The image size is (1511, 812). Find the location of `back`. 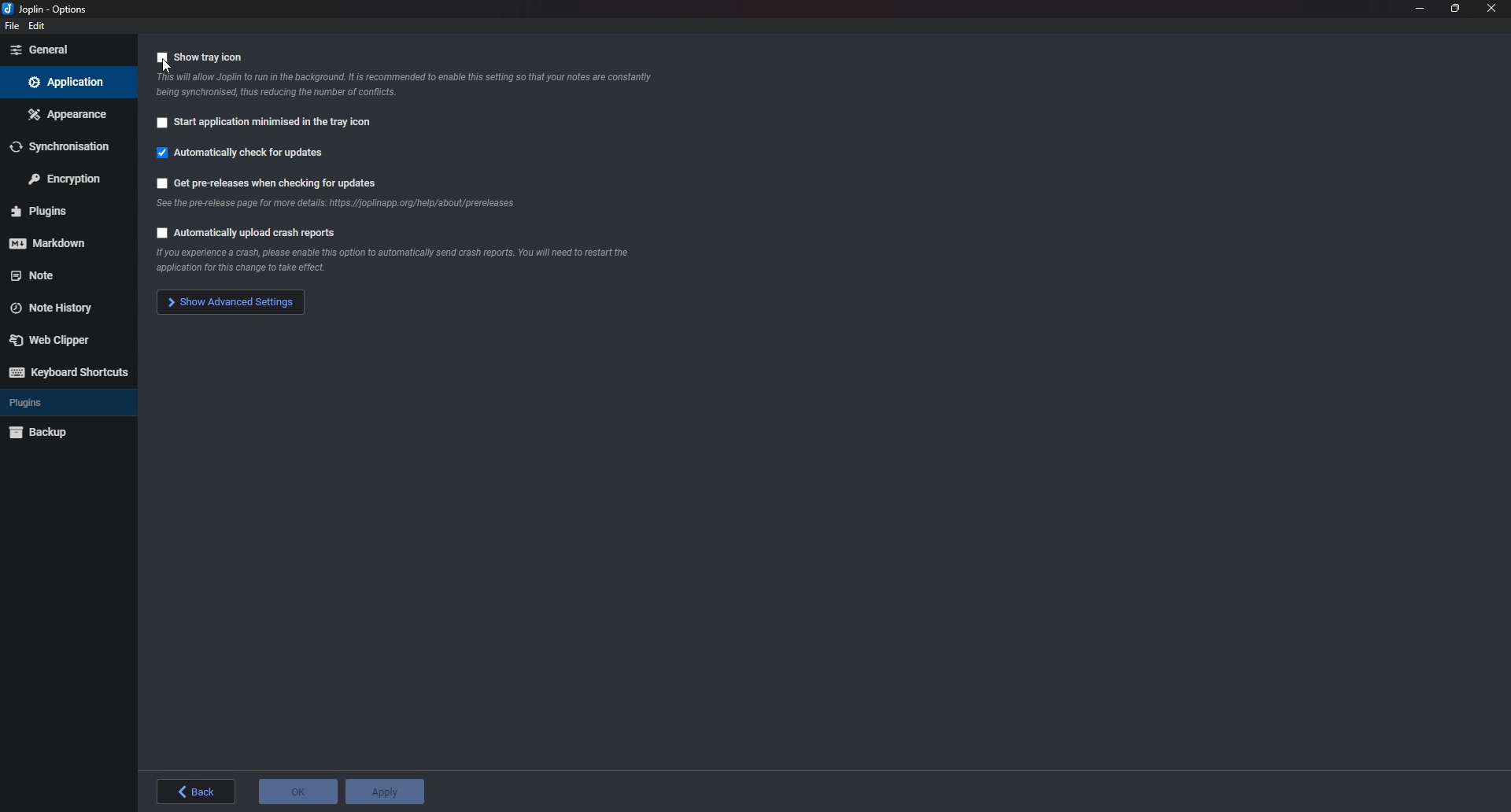

back is located at coordinates (199, 792).